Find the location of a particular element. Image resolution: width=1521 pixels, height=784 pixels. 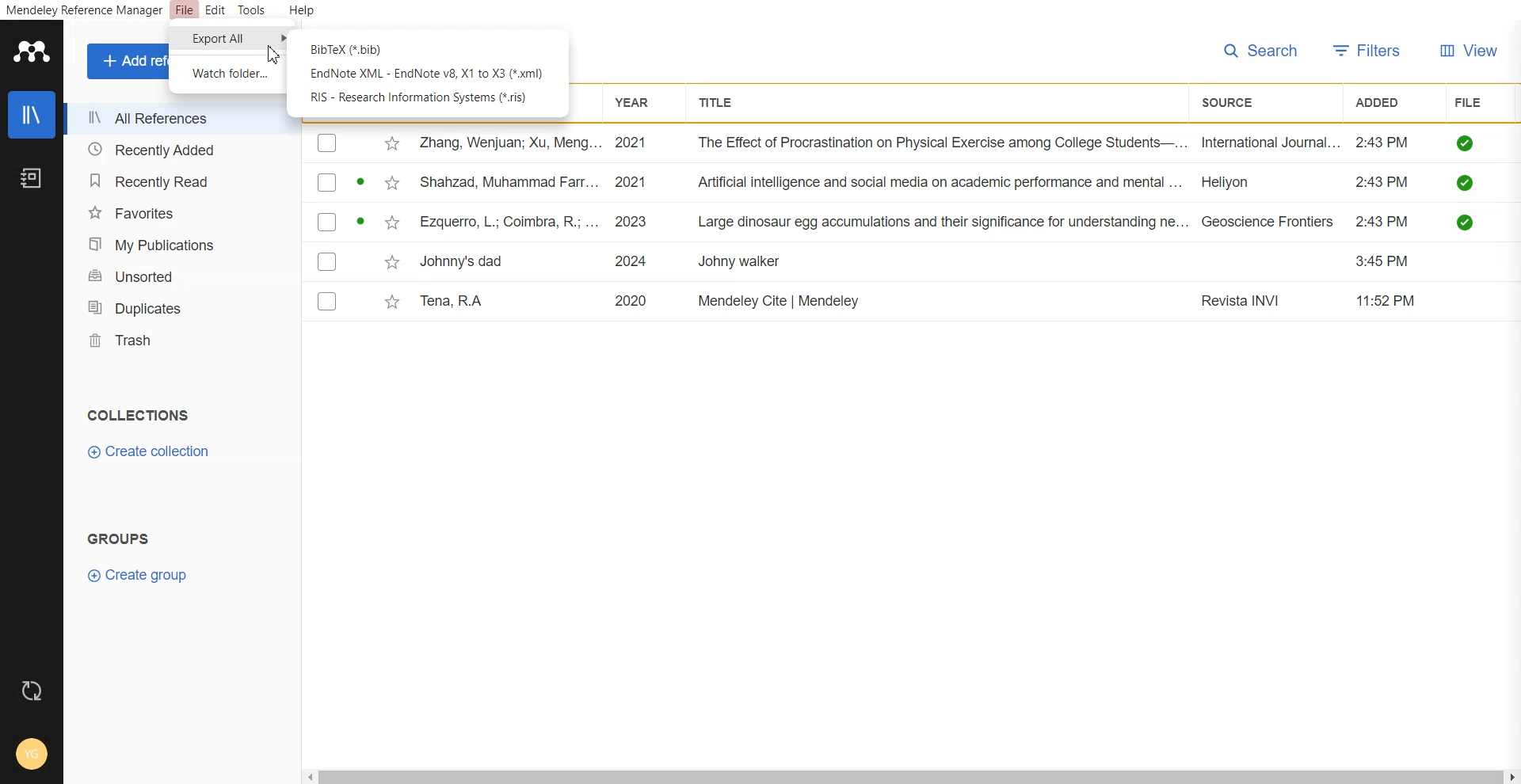

Scroll right is located at coordinates (1511, 776).